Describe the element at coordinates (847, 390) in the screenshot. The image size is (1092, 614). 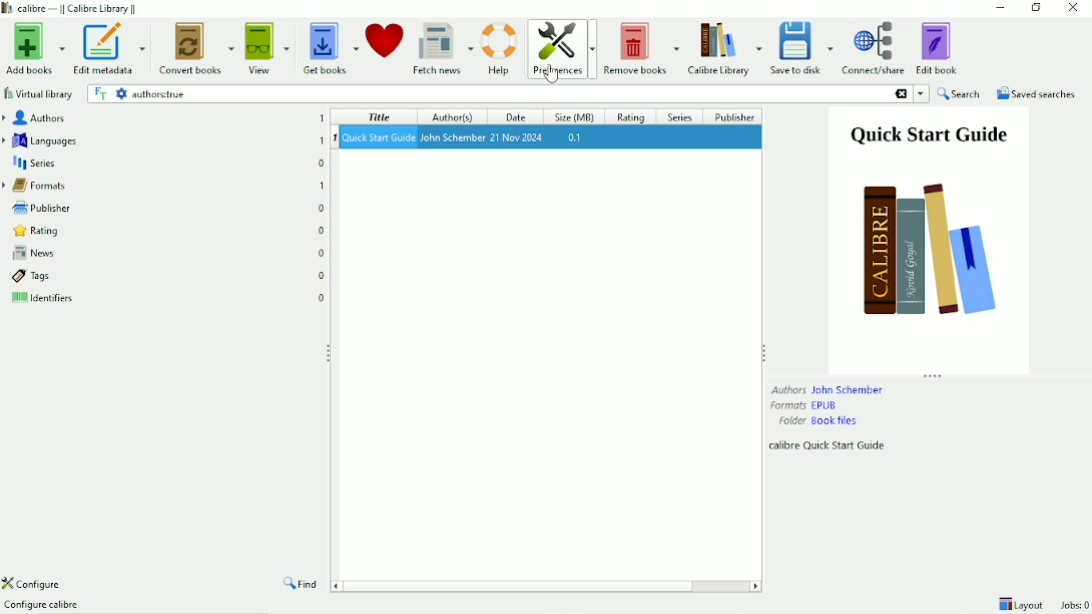
I see `John Schember` at that location.